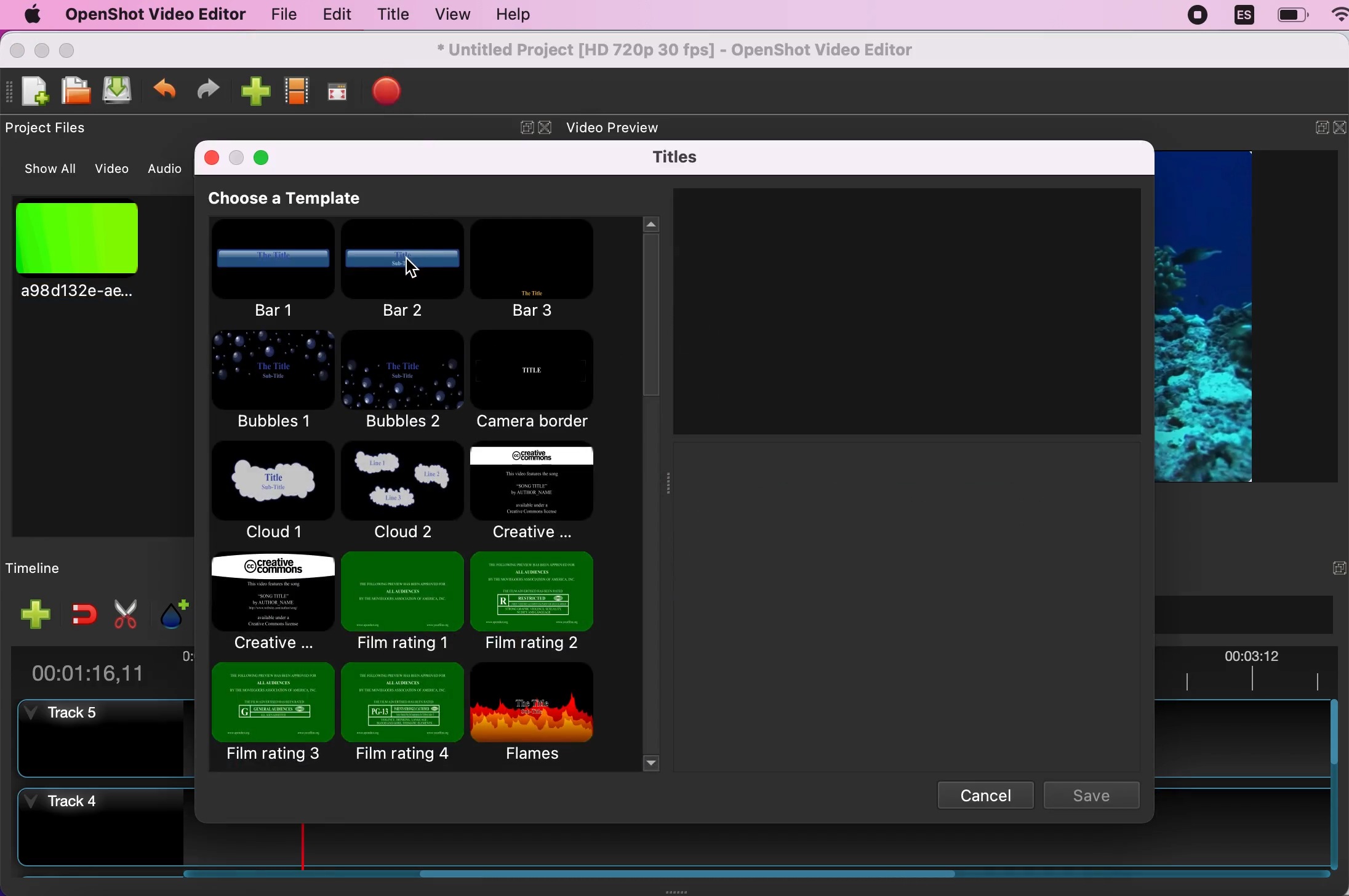  What do you see at coordinates (77, 91) in the screenshot?
I see `open file` at bounding box center [77, 91].